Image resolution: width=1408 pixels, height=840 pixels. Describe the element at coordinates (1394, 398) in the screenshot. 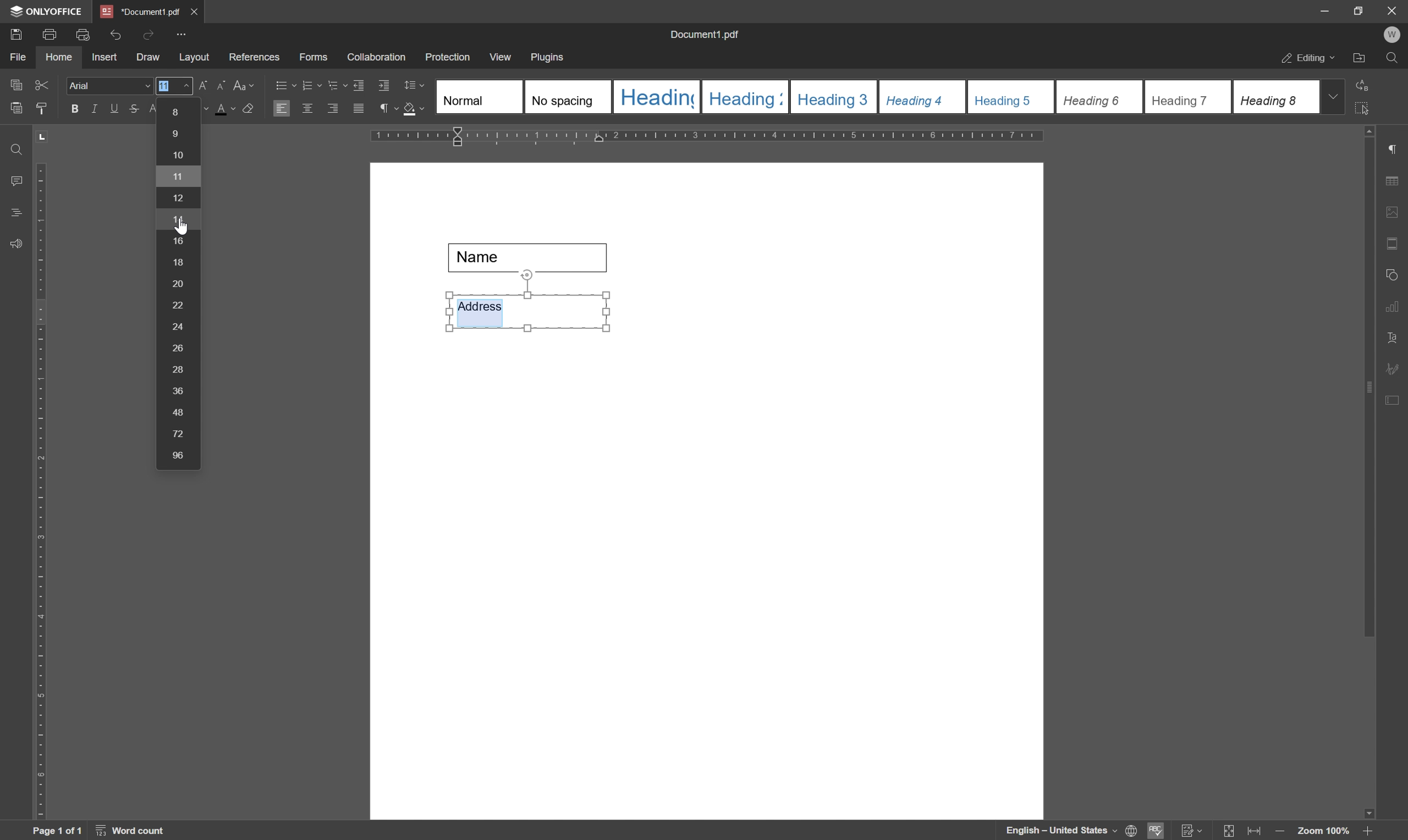

I see `form settings` at that location.